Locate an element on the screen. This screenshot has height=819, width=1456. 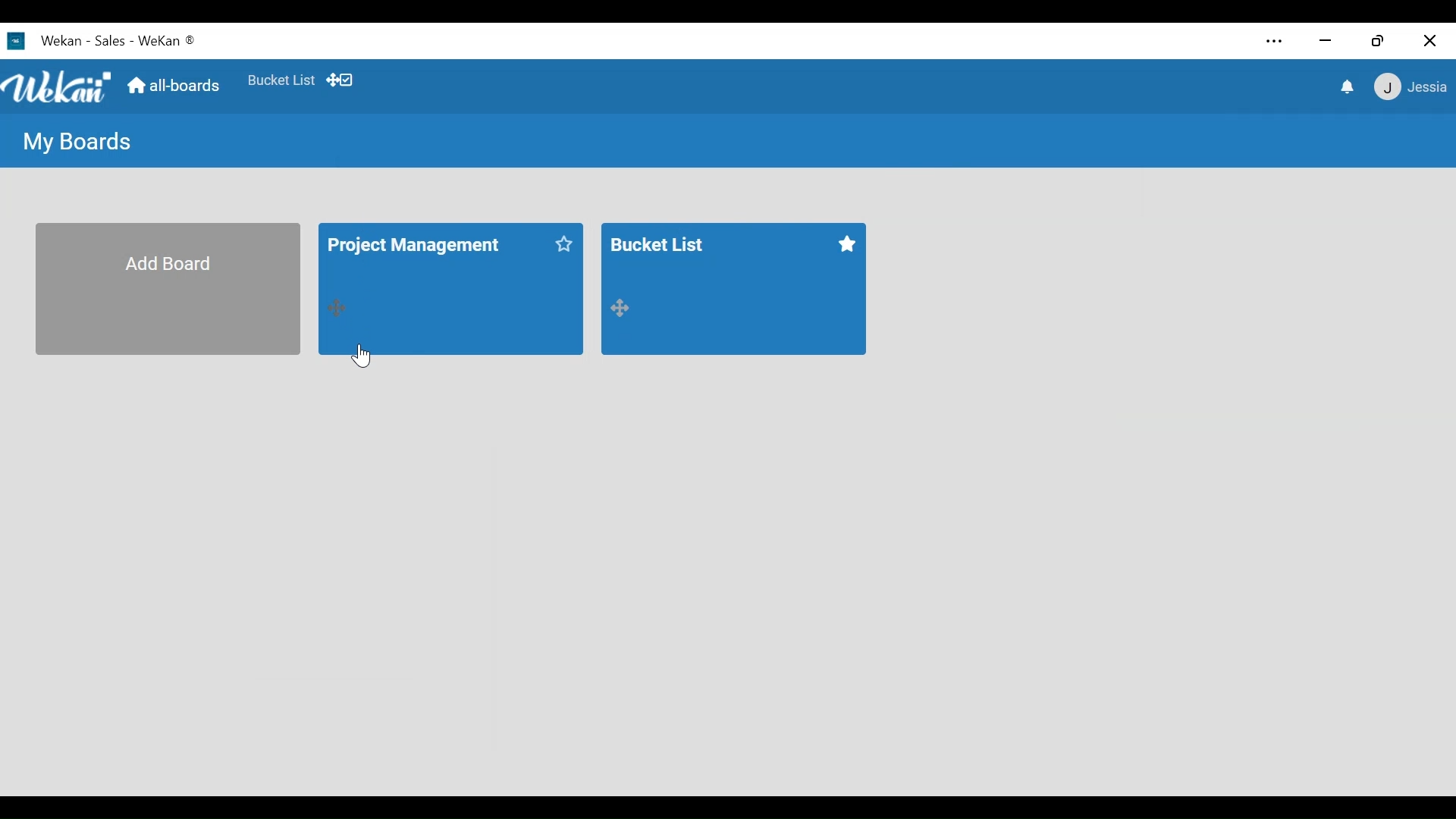
My Boards is located at coordinates (80, 142).